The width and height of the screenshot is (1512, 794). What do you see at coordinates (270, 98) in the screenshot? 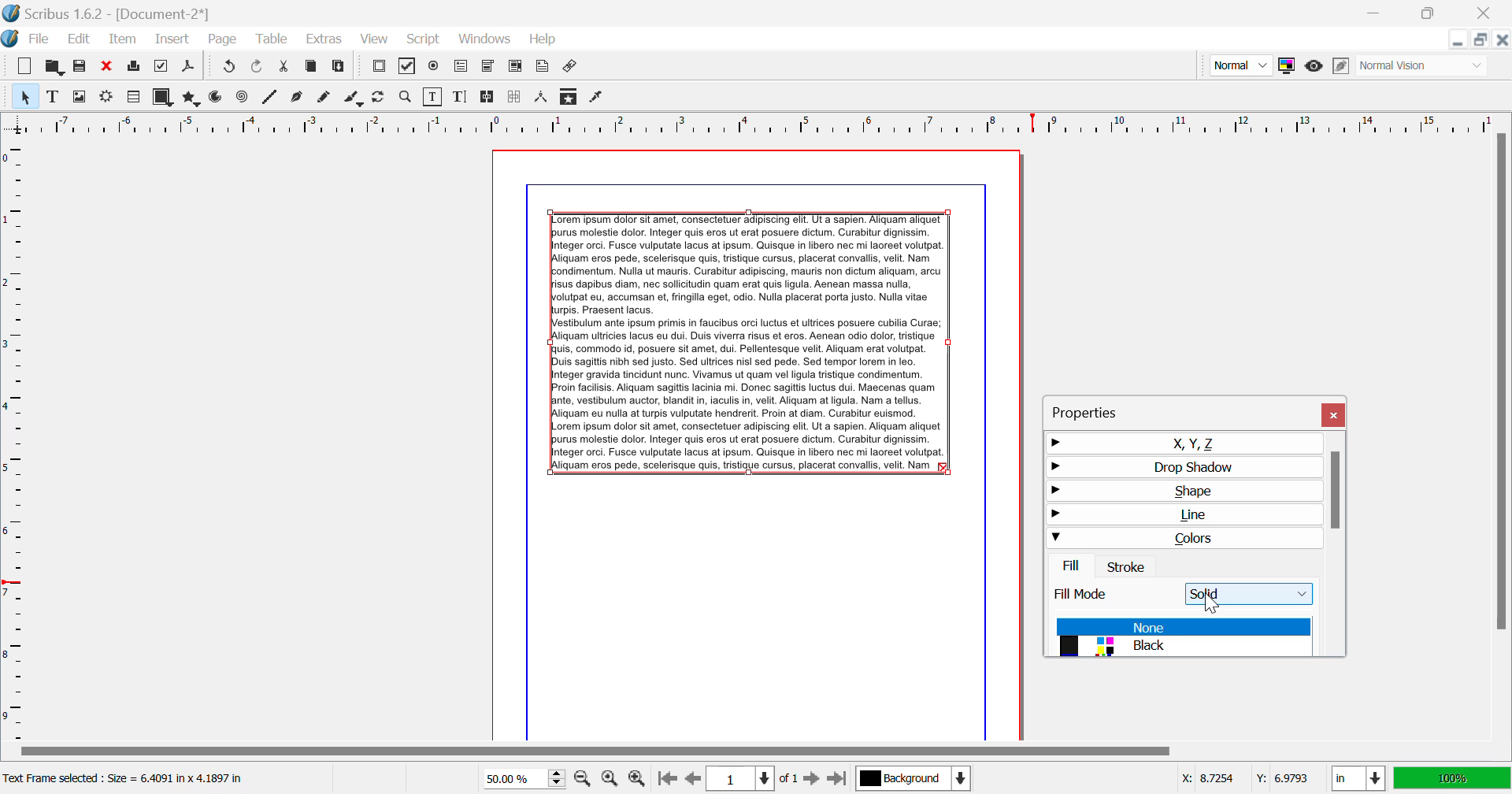
I see `Line` at bounding box center [270, 98].